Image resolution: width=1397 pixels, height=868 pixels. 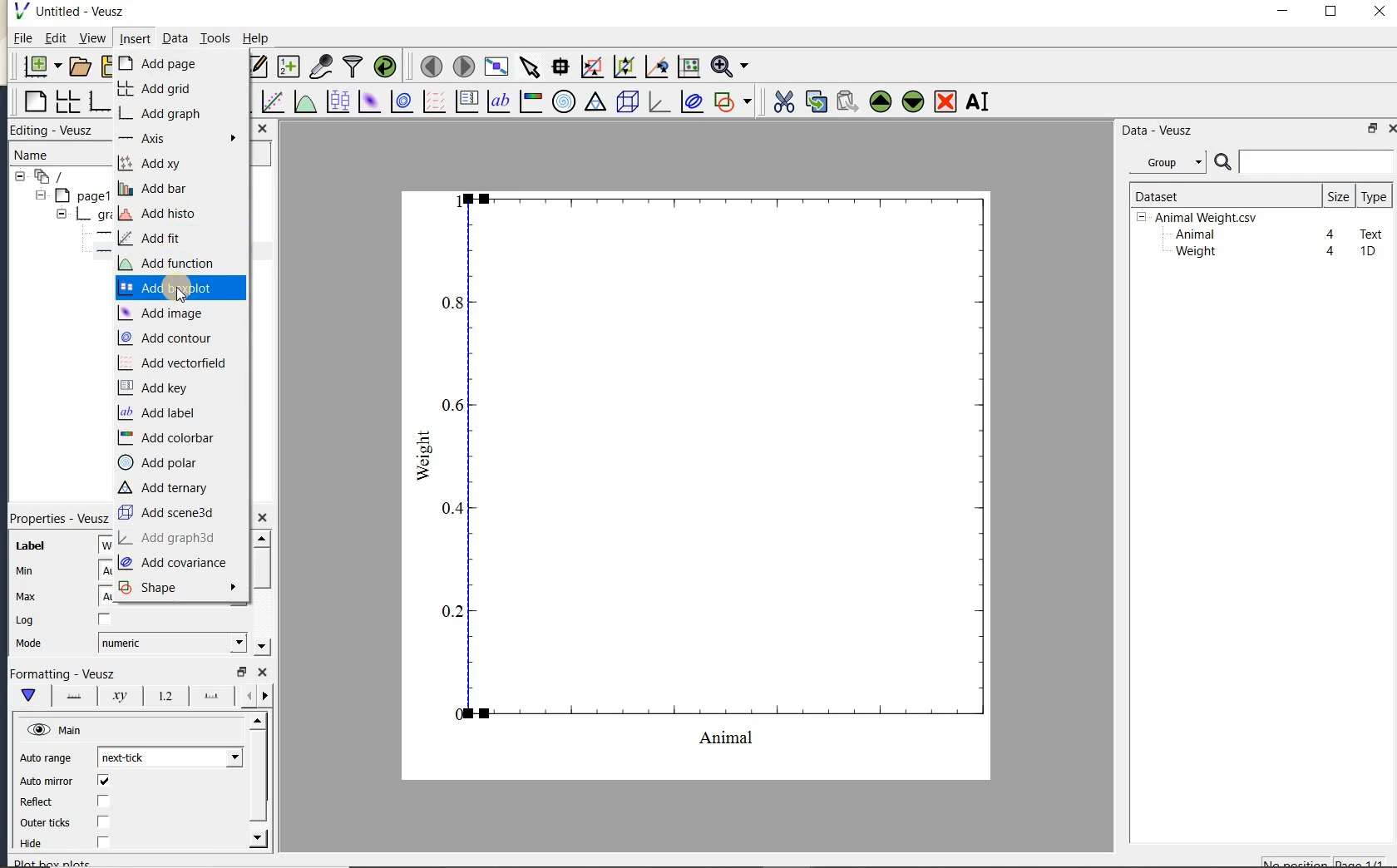 What do you see at coordinates (175, 138) in the screenshot?
I see `axis` at bounding box center [175, 138].